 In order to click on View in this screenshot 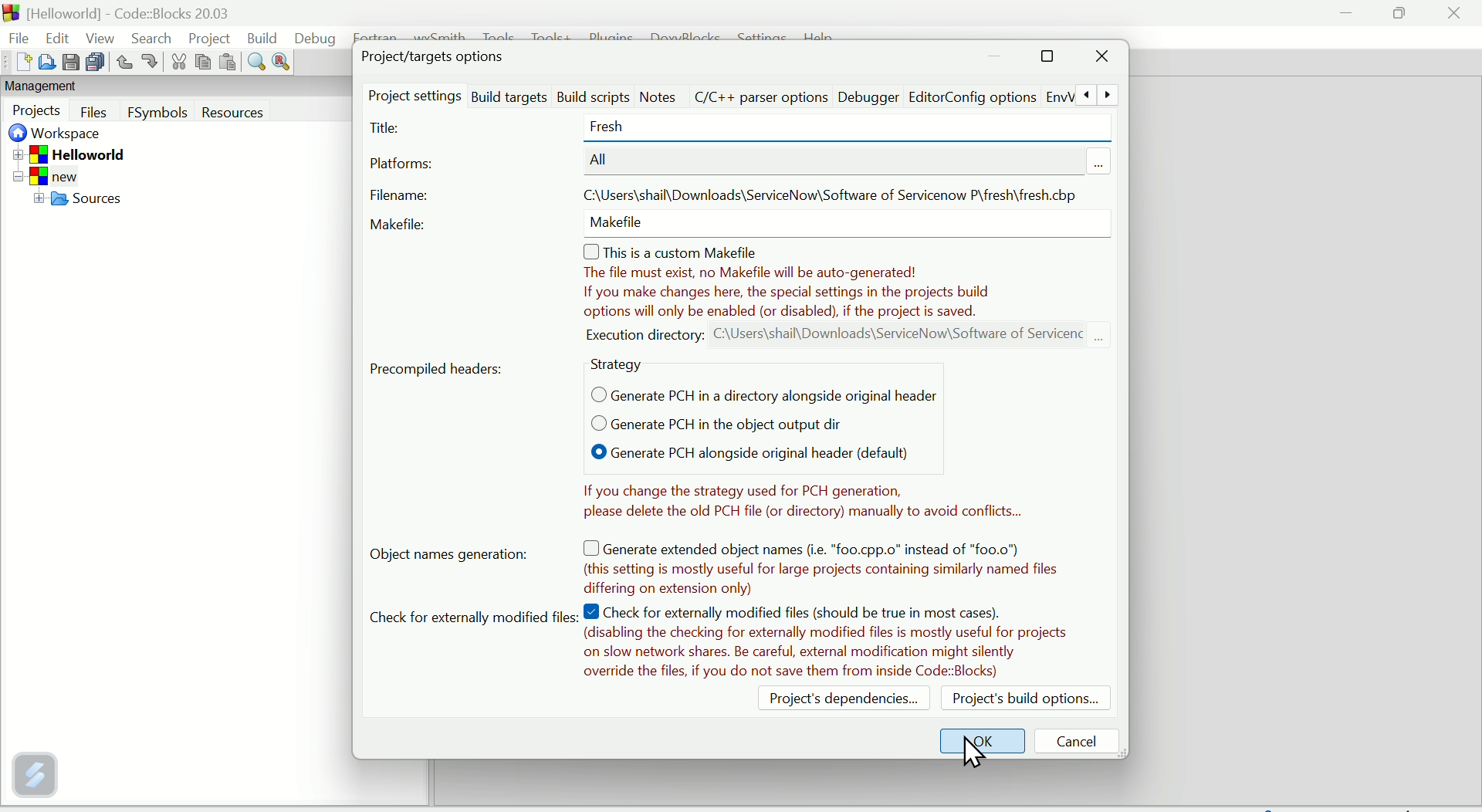, I will do `click(97, 37)`.